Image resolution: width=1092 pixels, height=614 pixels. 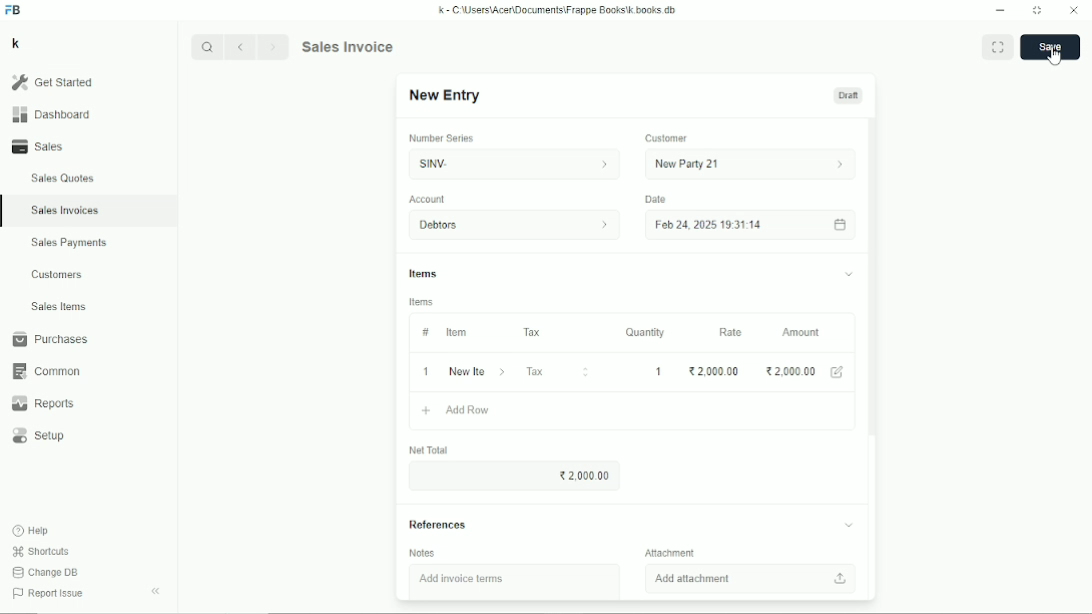 What do you see at coordinates (477, 373) in the screenshot?
I see `New item 06` at bounding box center [477, 373].